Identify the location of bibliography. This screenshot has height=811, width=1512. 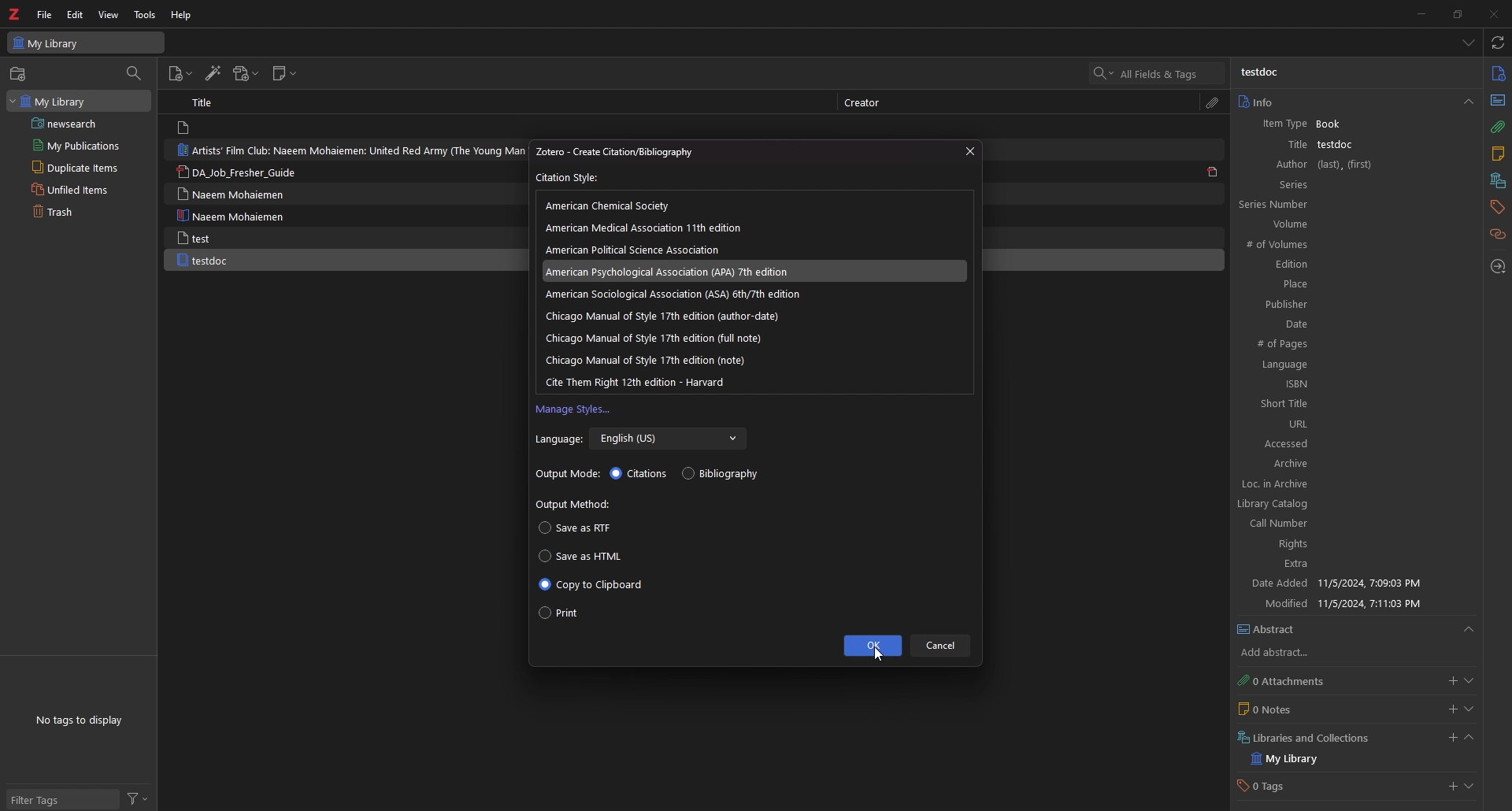
(724, 473).